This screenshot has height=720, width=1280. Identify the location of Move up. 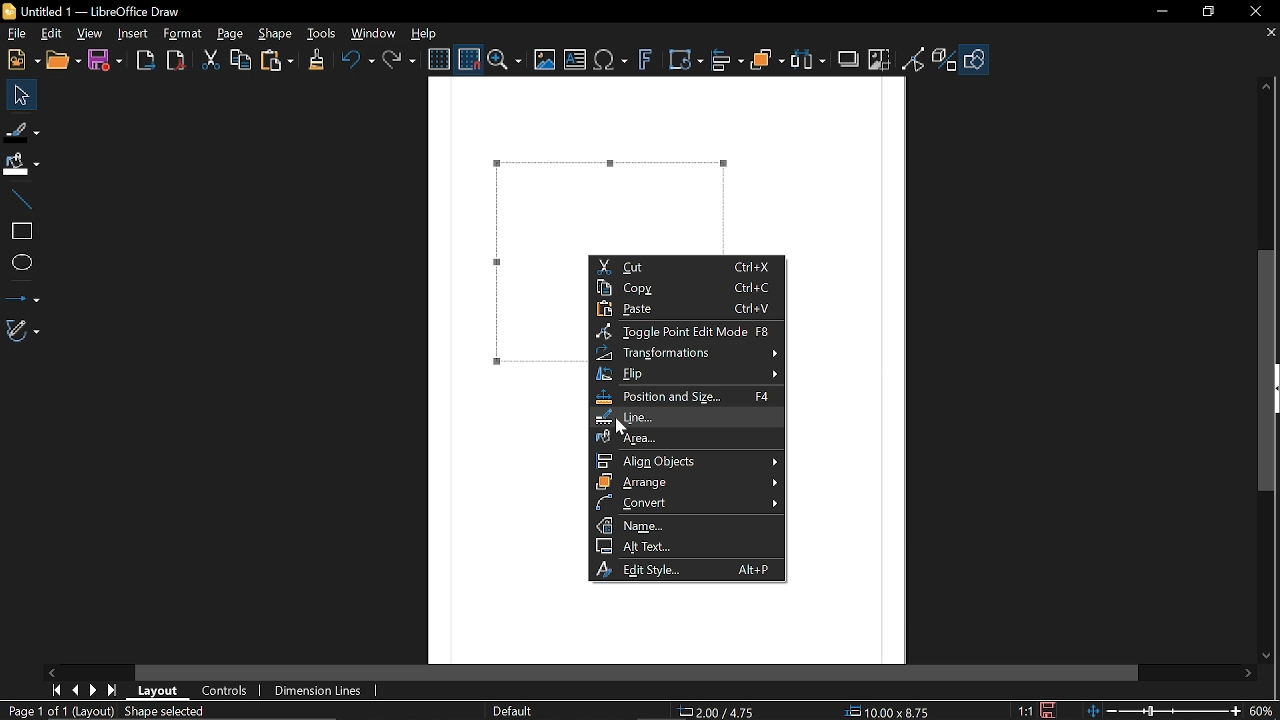
(1267, 87).